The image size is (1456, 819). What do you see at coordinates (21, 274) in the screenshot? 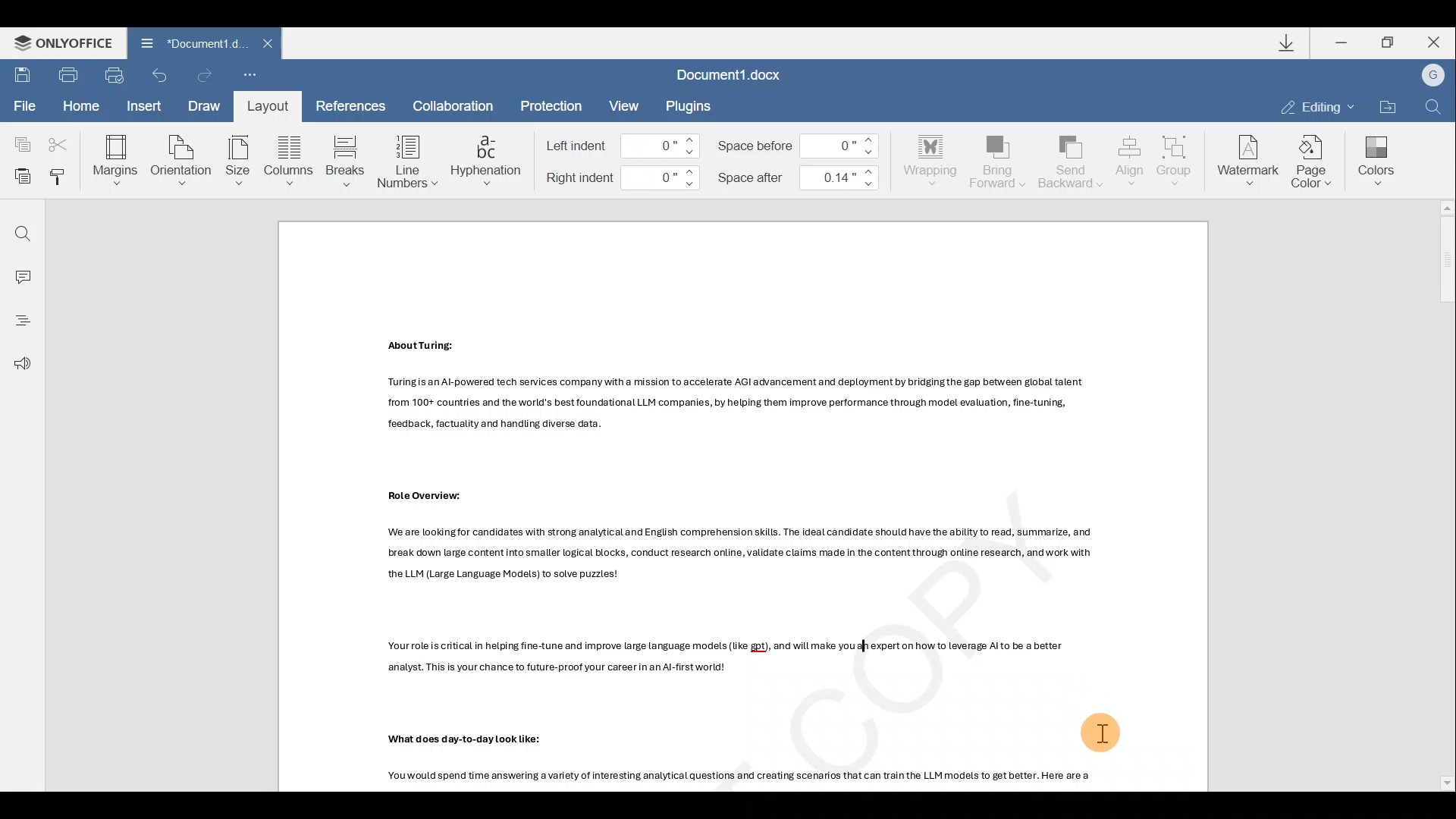
I see `Comment` at bounding box center [21, 274].